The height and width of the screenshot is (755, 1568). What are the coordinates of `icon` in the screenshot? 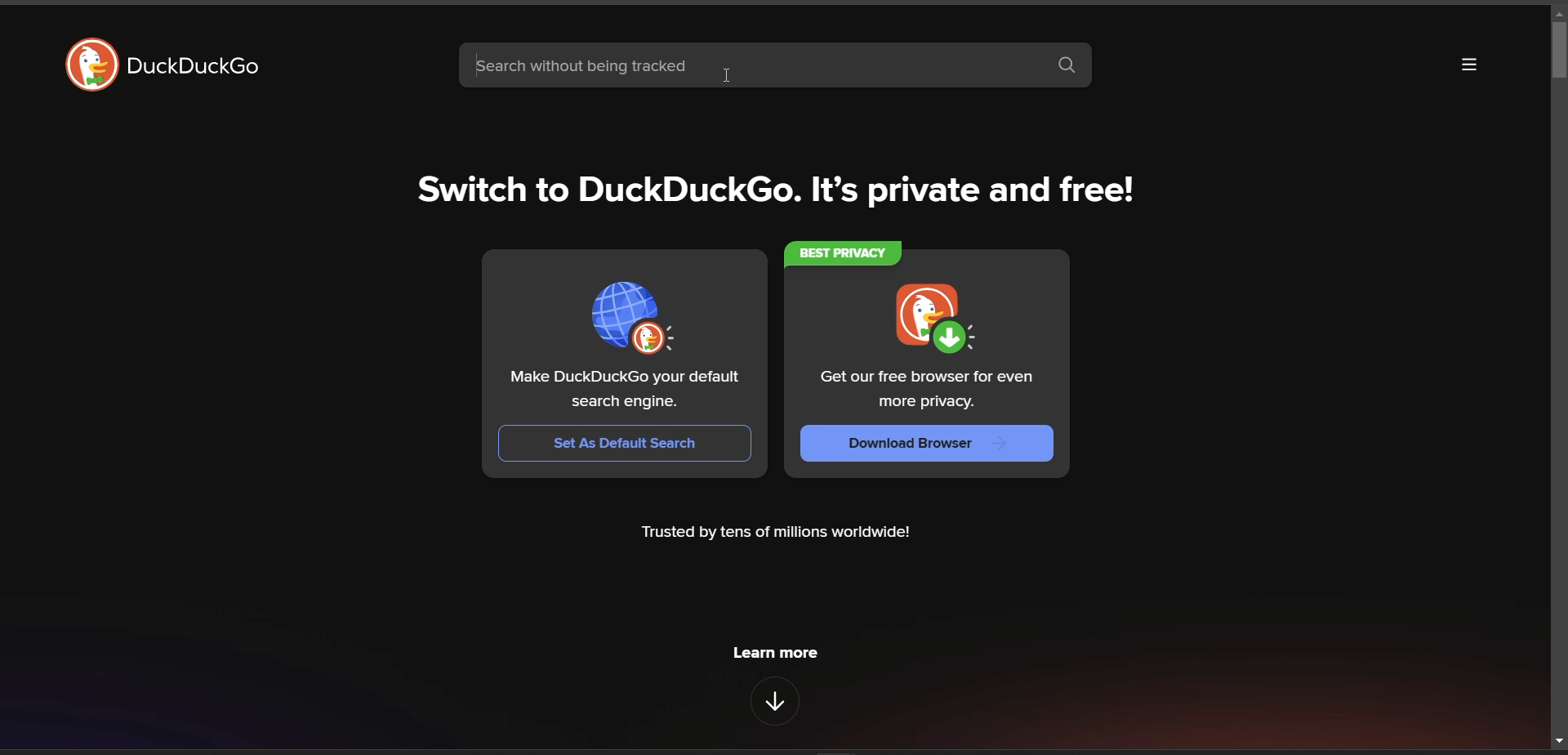 It's located at (631, 318).